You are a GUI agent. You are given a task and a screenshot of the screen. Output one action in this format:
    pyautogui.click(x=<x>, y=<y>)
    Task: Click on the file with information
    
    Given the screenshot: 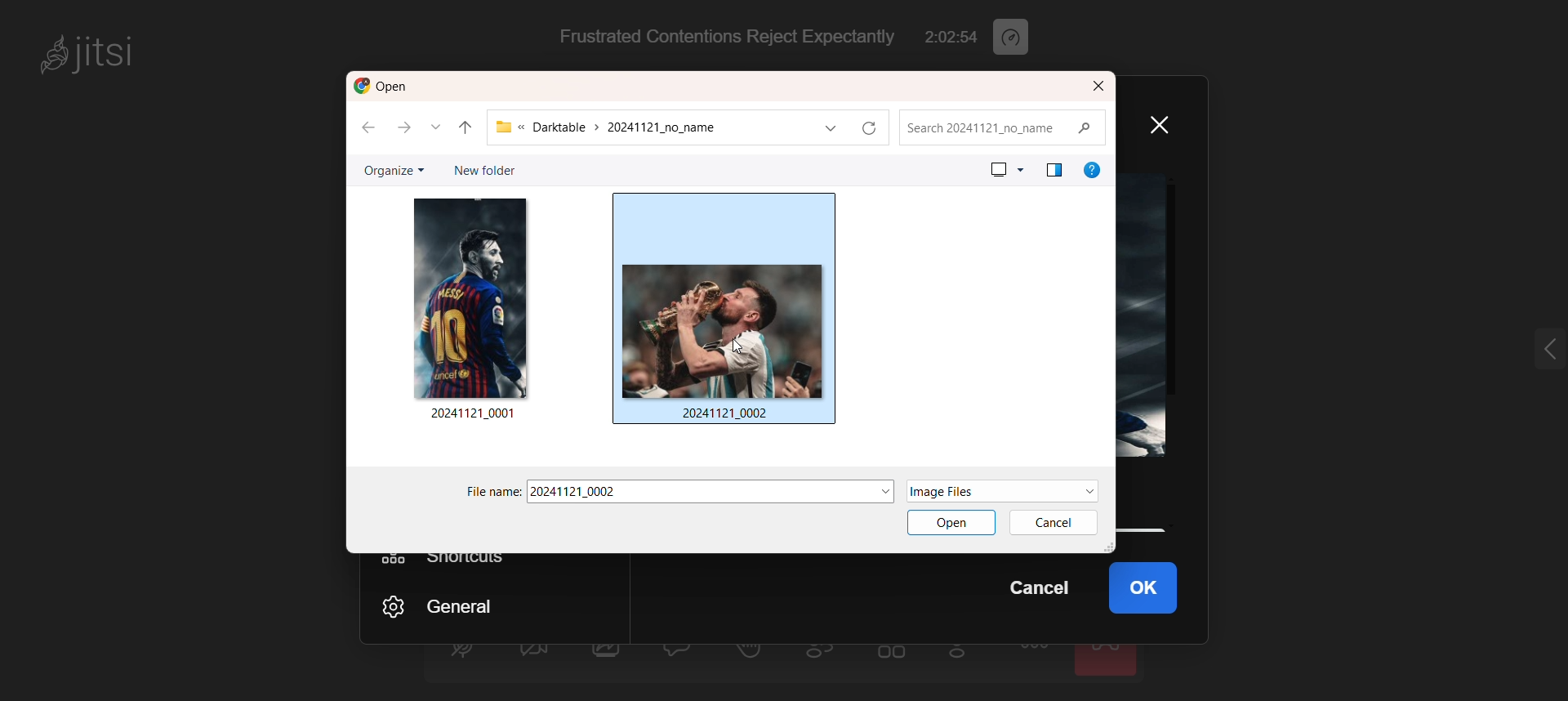 What is the action you would take?
    pyautogui.click(x=728, y=316)
    